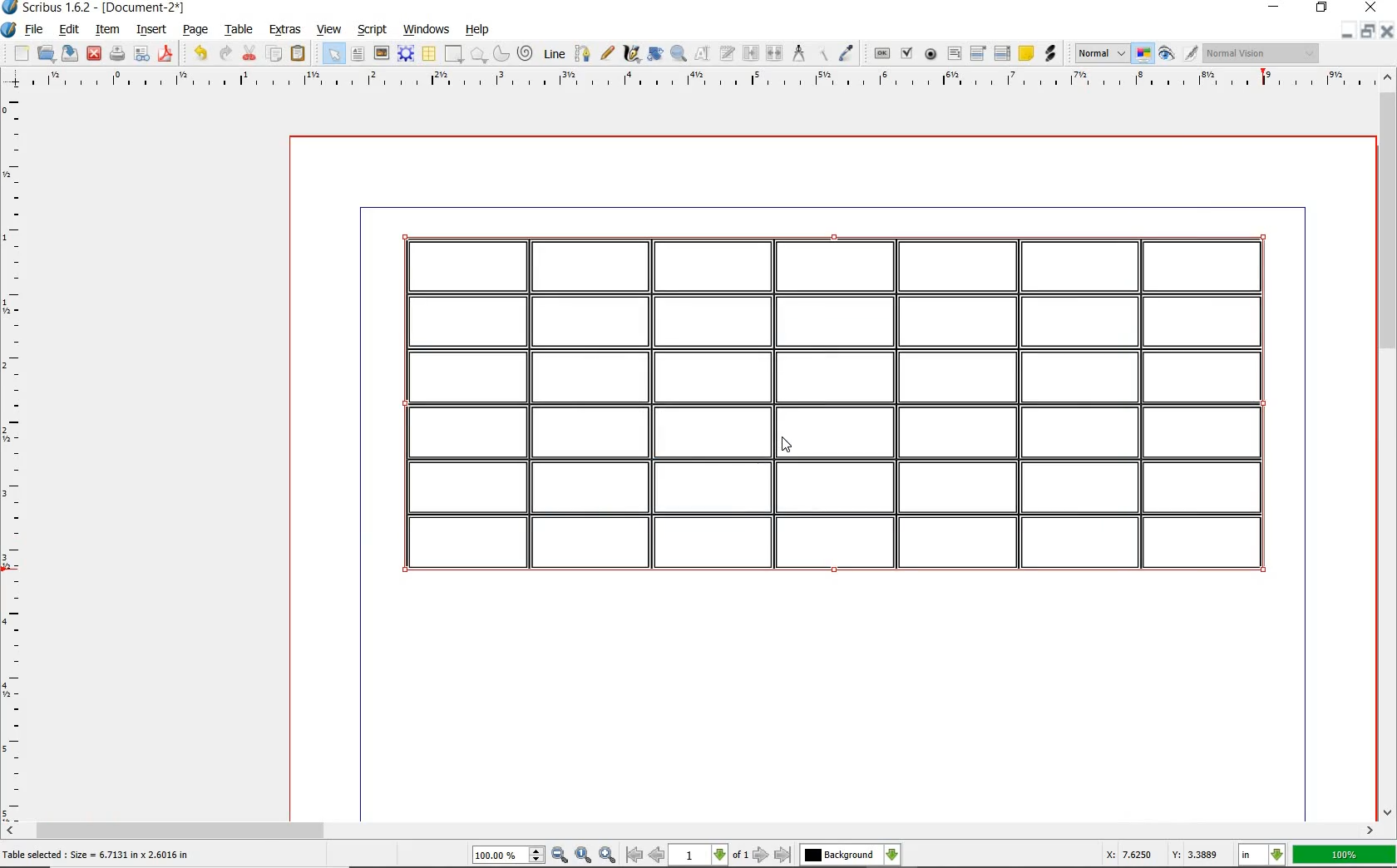  Describe the element at coordinates (1367, 31) in the screenshot. I see `restore` at that location.